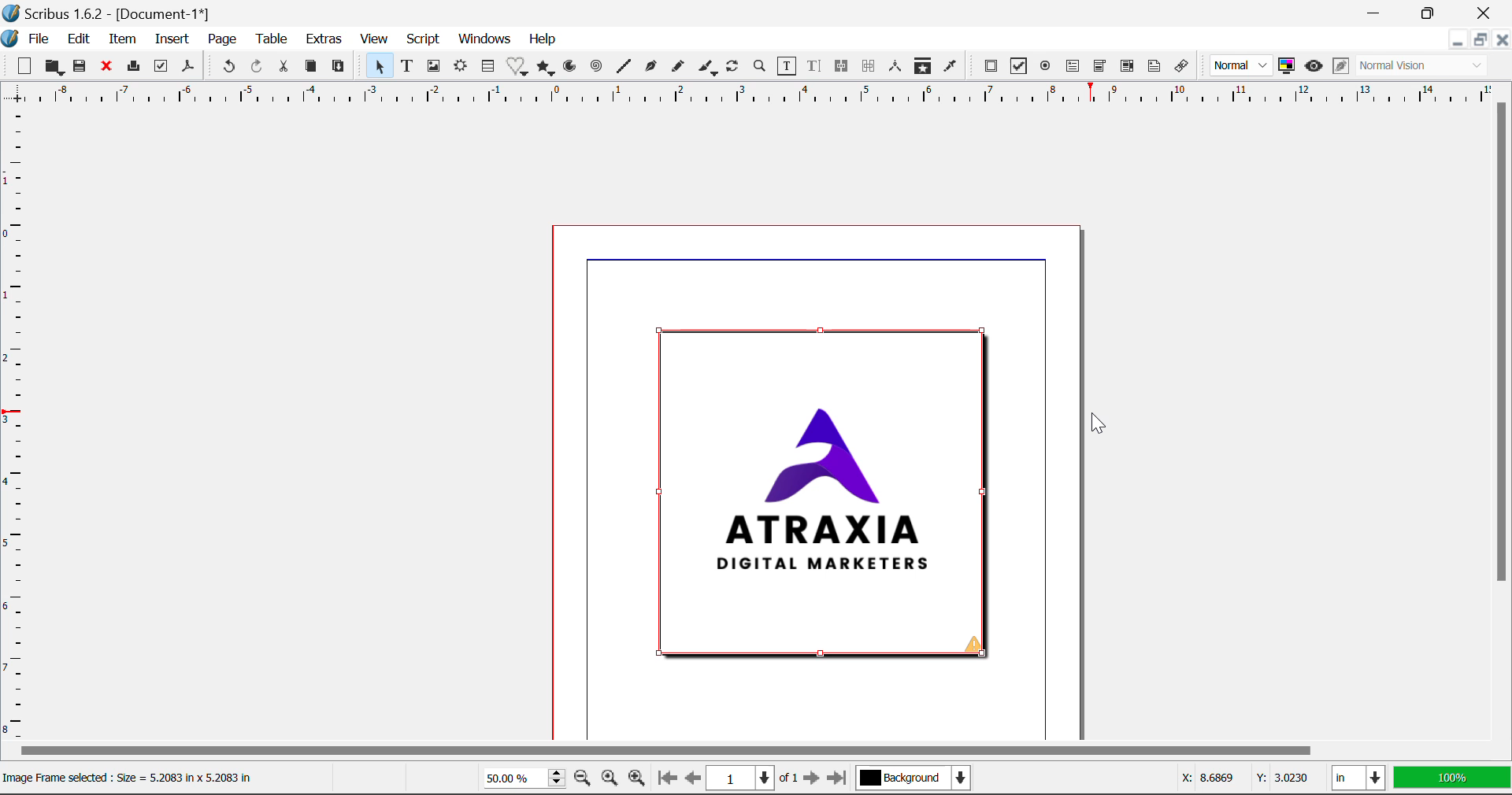 The width and height of the screenshot is (1512, 795). I want to click on Link Text Frames, so click(842, 68).